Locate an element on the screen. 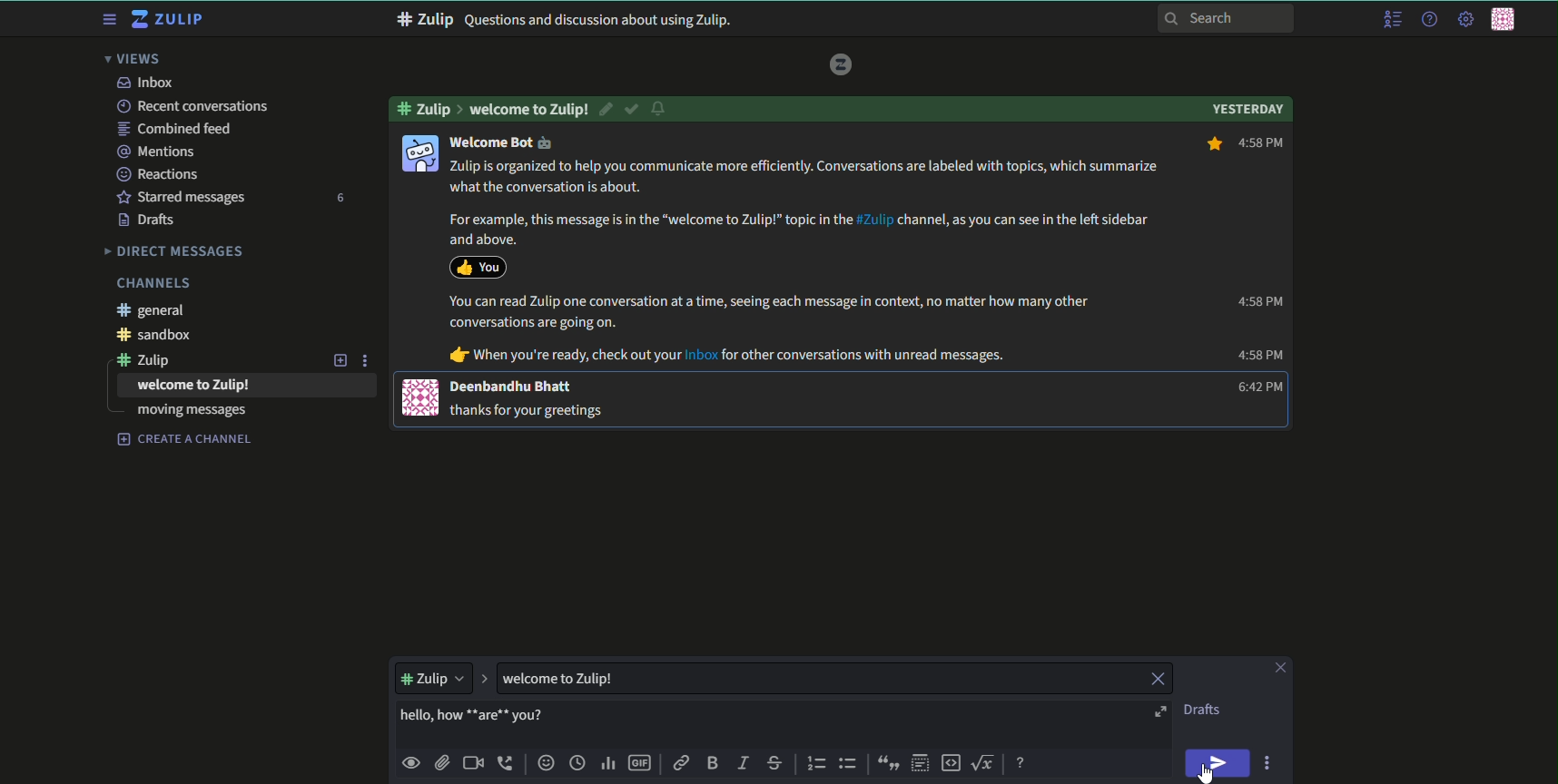  # Zulip Questions and discussion about using Zulip. is located at coordinates (565, 20).